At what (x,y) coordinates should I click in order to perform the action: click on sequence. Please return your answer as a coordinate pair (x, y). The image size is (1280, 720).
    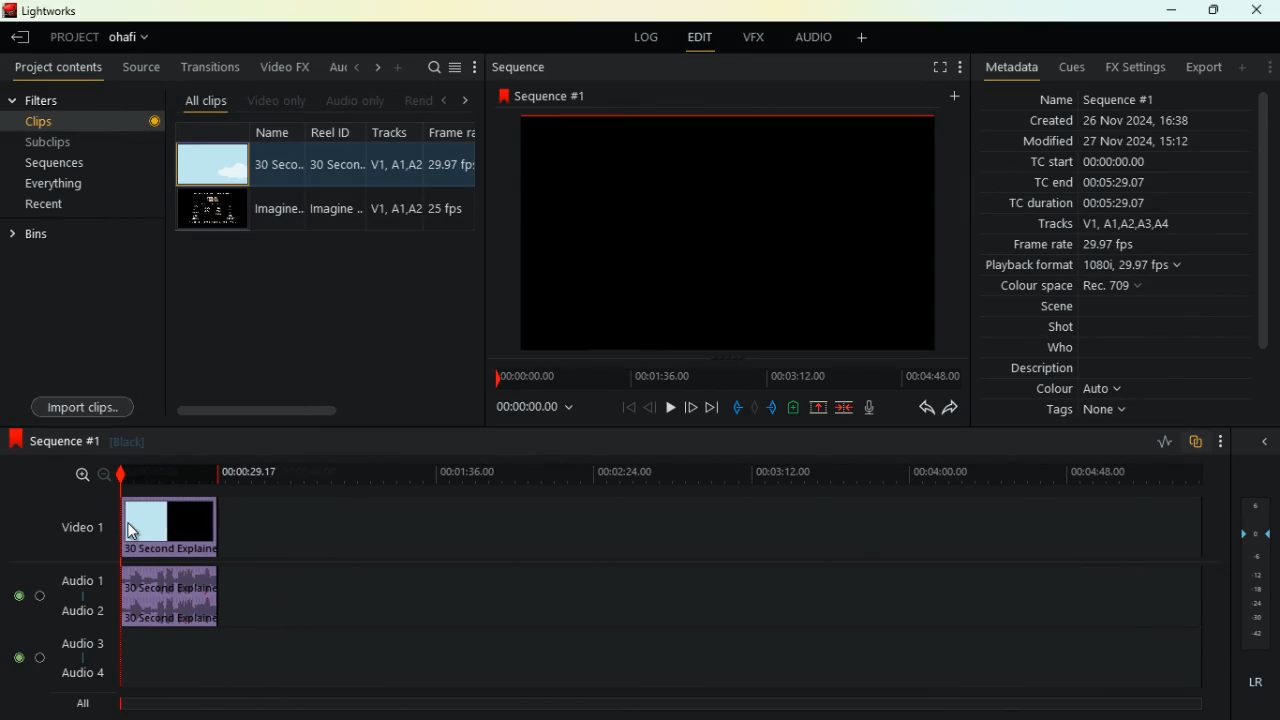
    Looking at the image, I should click on (525, 63).